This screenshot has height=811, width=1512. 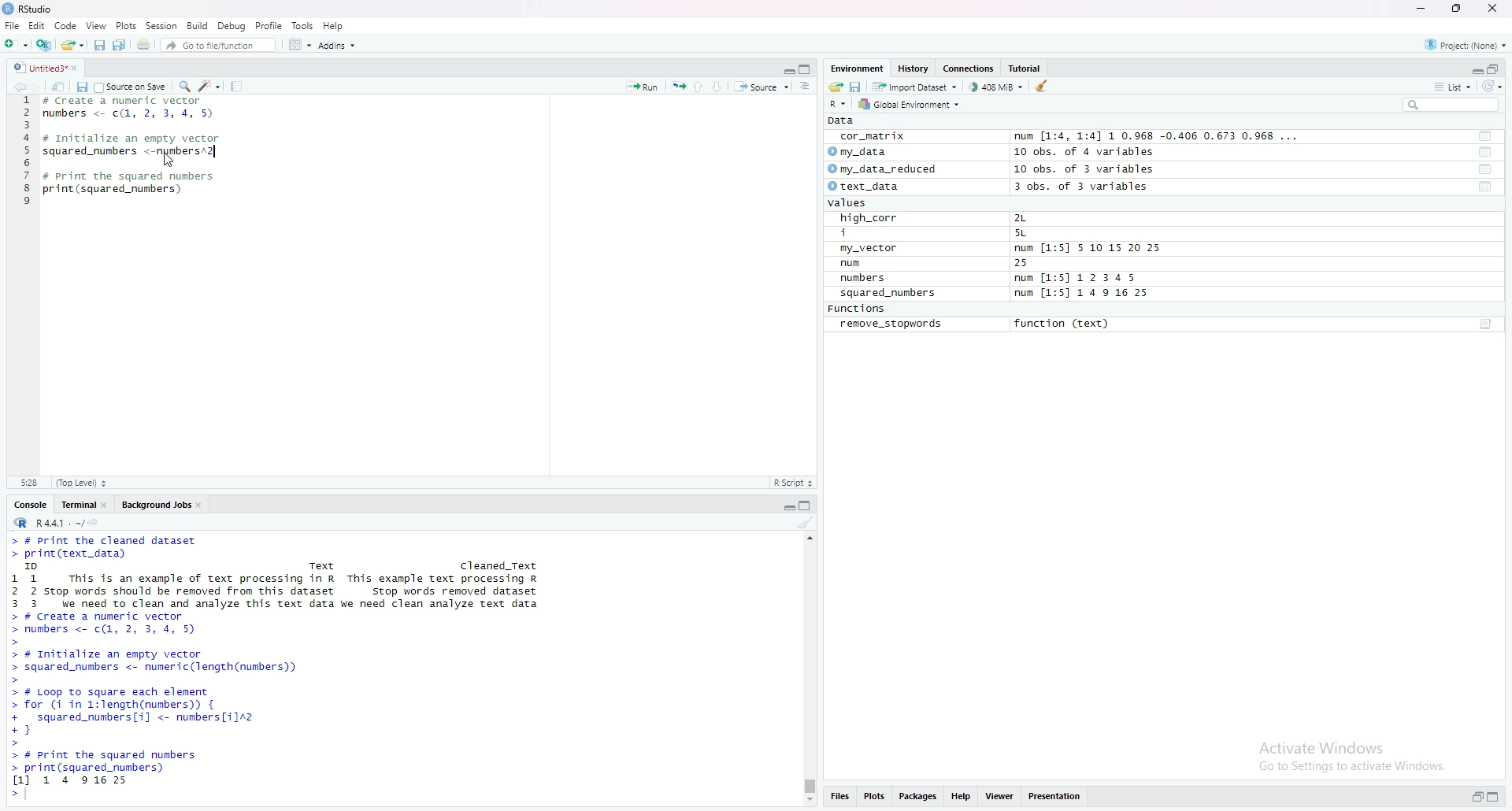 What do you see at coordinates (914, 86) in the screenshot?
I see `Import Dataset` at bounding box center [914, 86].